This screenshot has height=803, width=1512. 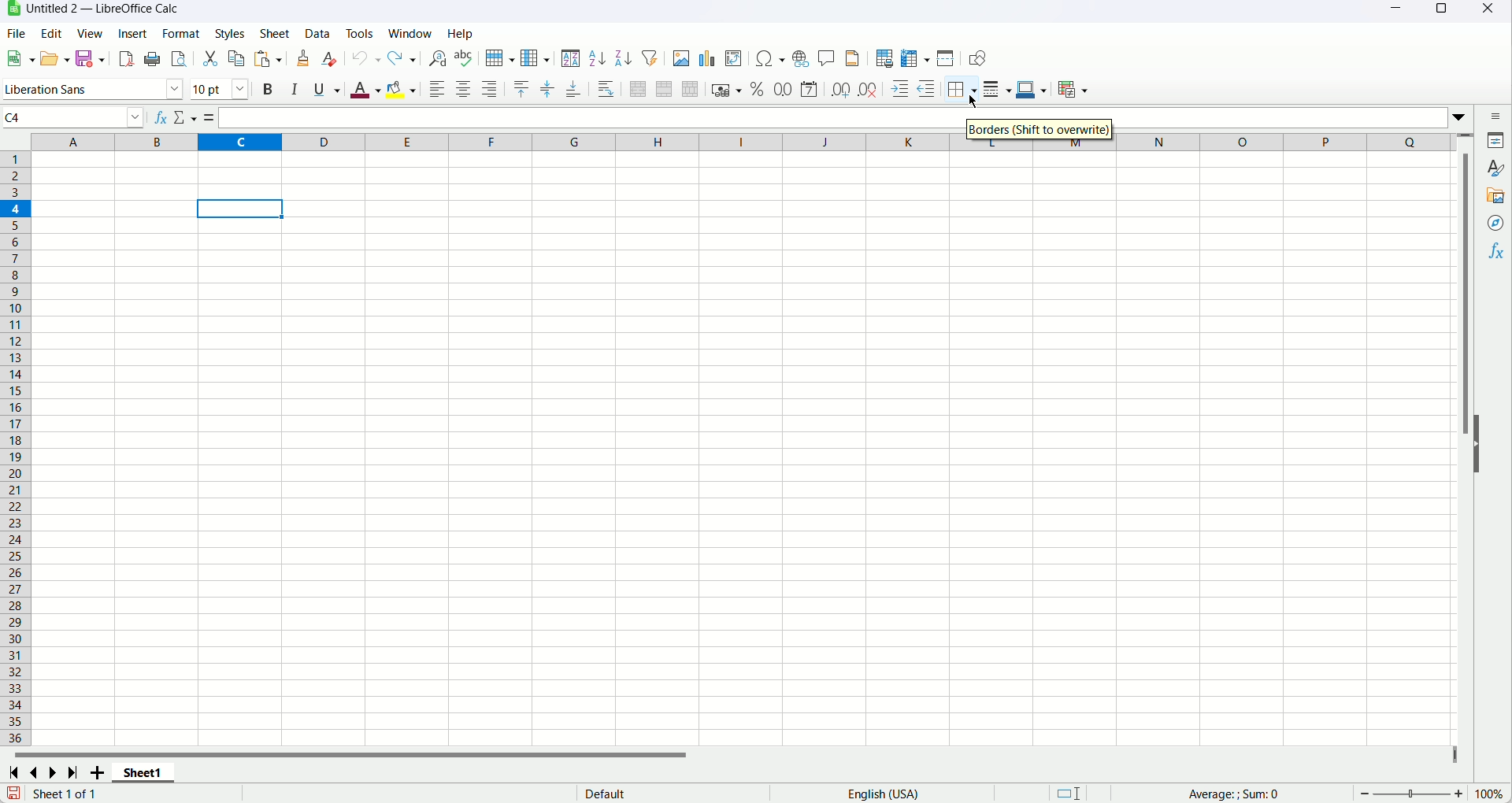 What do you see at coordinates (74, 773) in the screenshot?
I see `Last sheet` at bounding box center [74, 773].